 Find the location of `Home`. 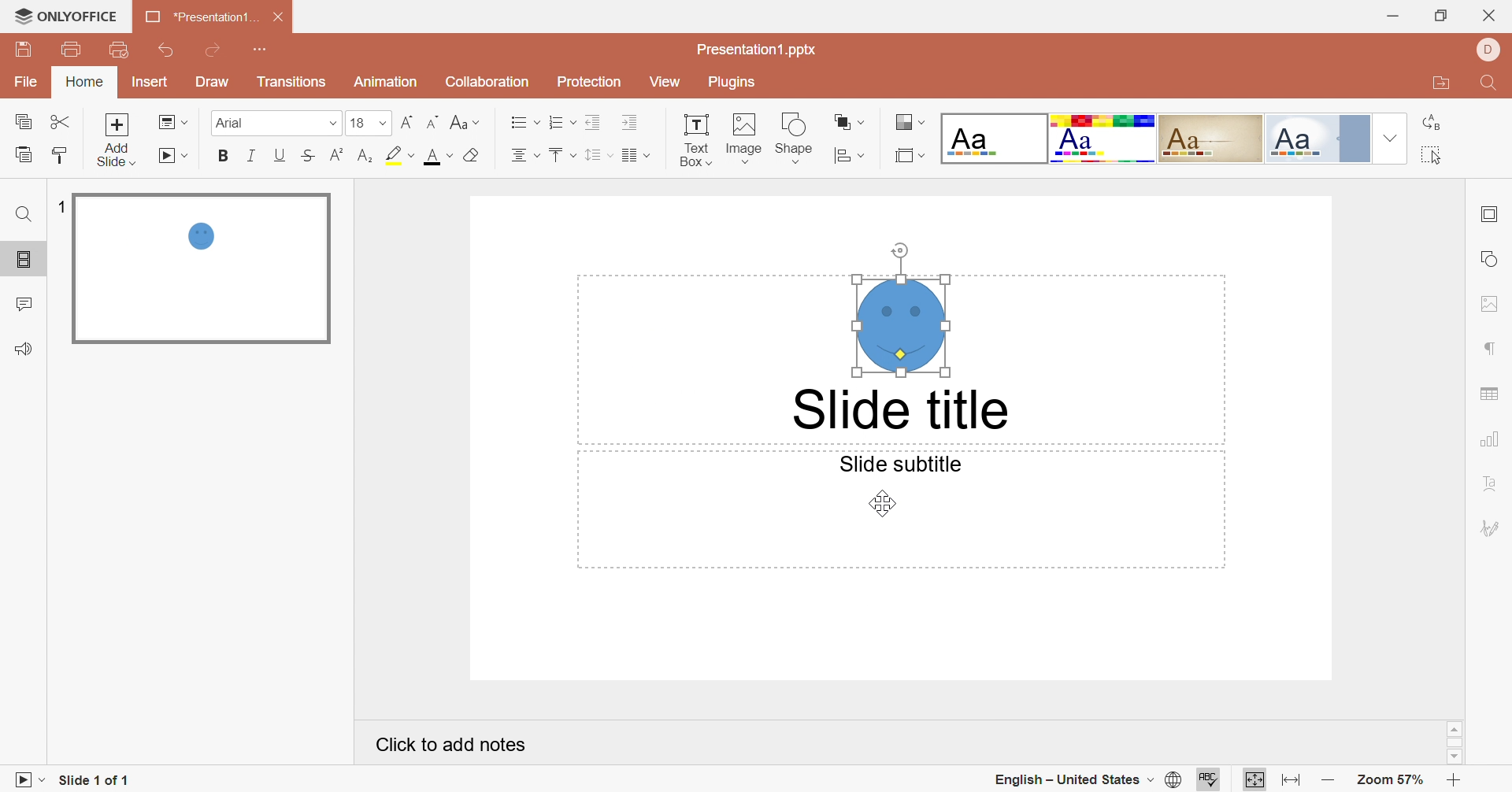

Home is located at coordinates (86, 81).